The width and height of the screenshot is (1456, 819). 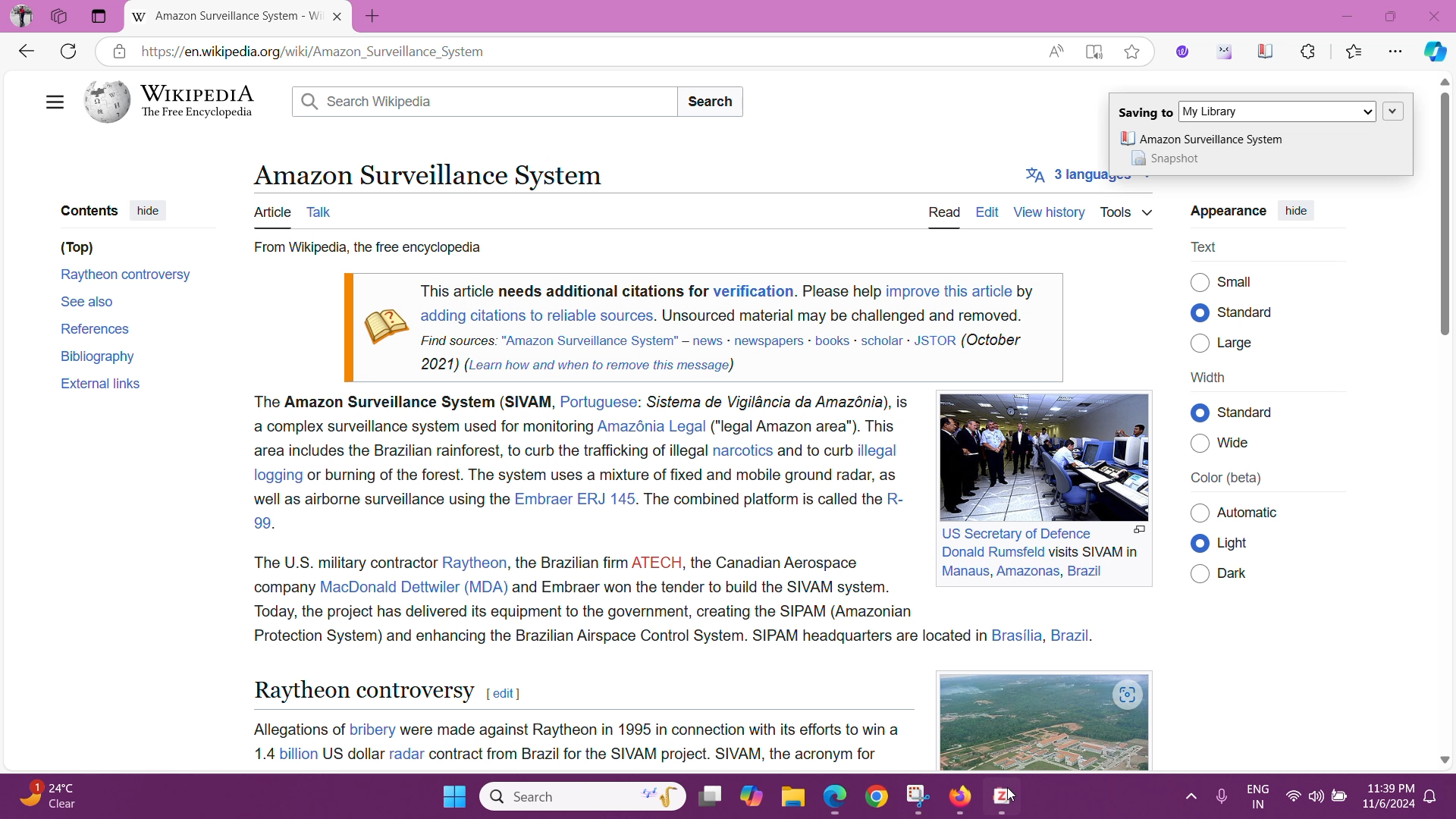 What do you see at coordinates (1260, 108) in the screenshot?
I see `Saving To Zotero Library` at bounding box center [1260, 108].